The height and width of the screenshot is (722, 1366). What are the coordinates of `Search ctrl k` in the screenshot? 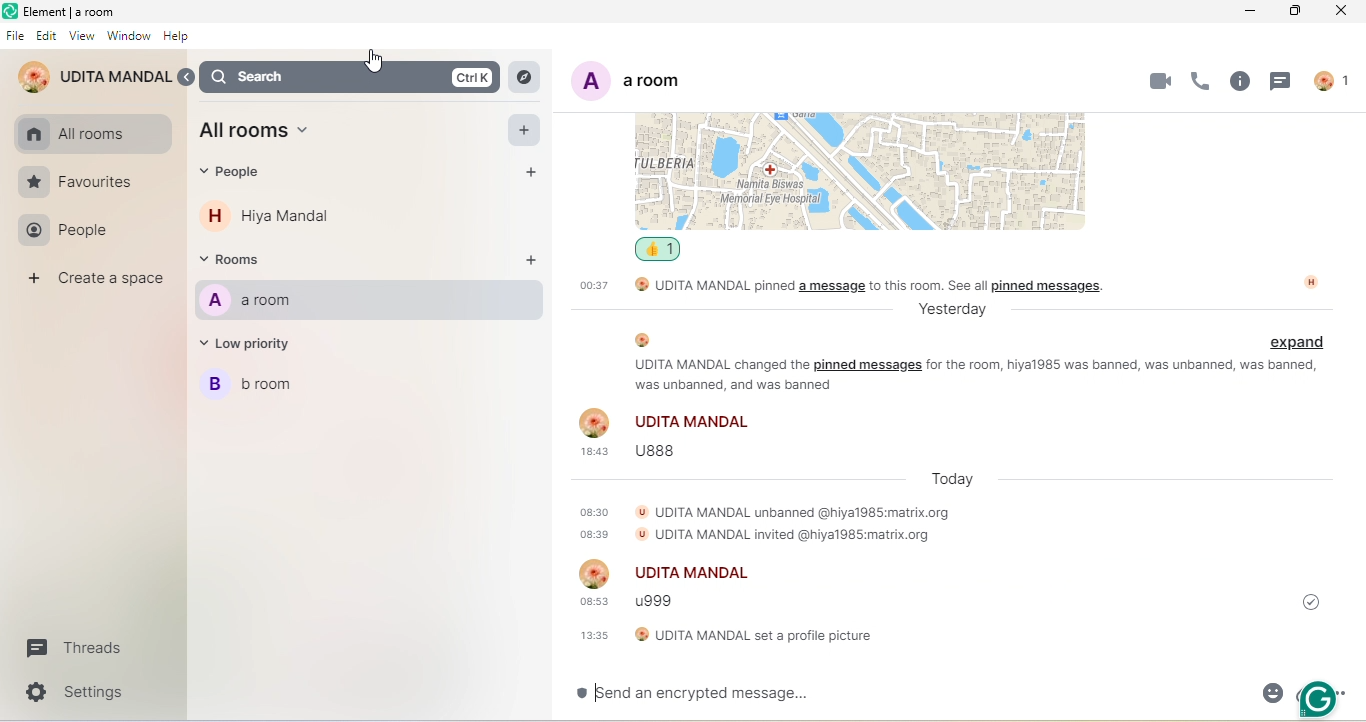 It's located at (349, 75).